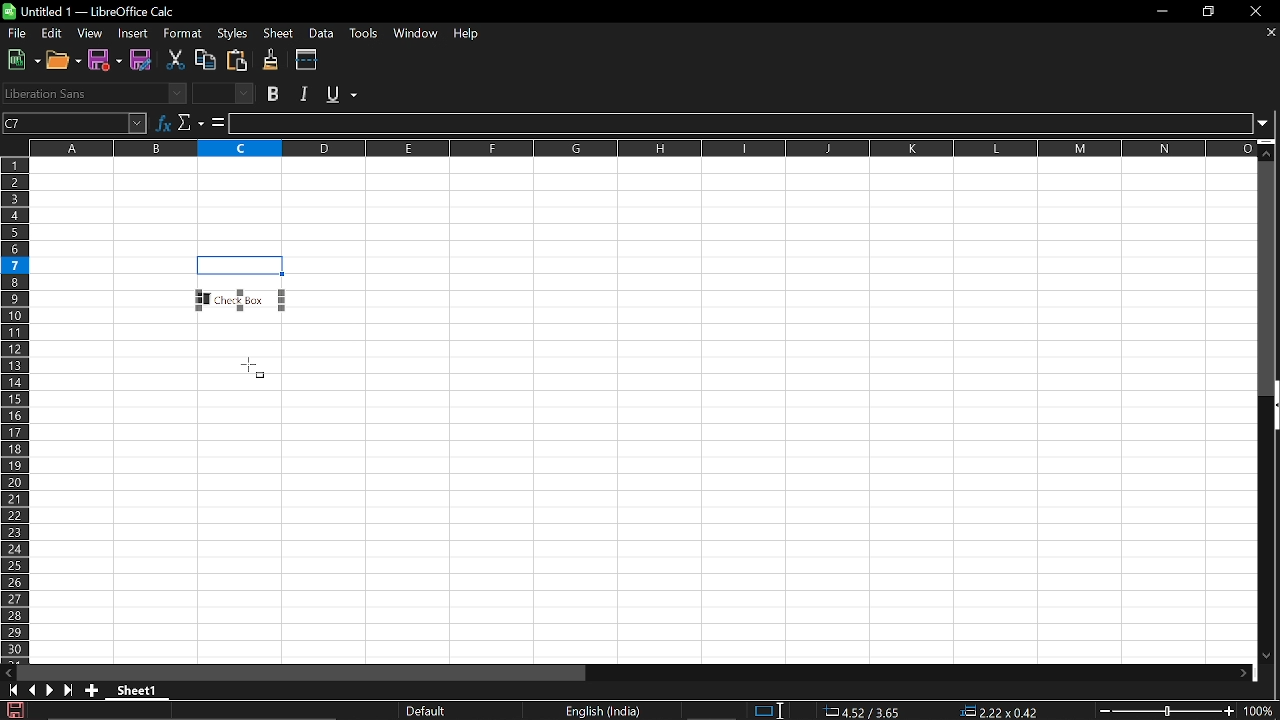 The image size is (1280, 720). I want to click on Fillable cells, so click(113, 281).